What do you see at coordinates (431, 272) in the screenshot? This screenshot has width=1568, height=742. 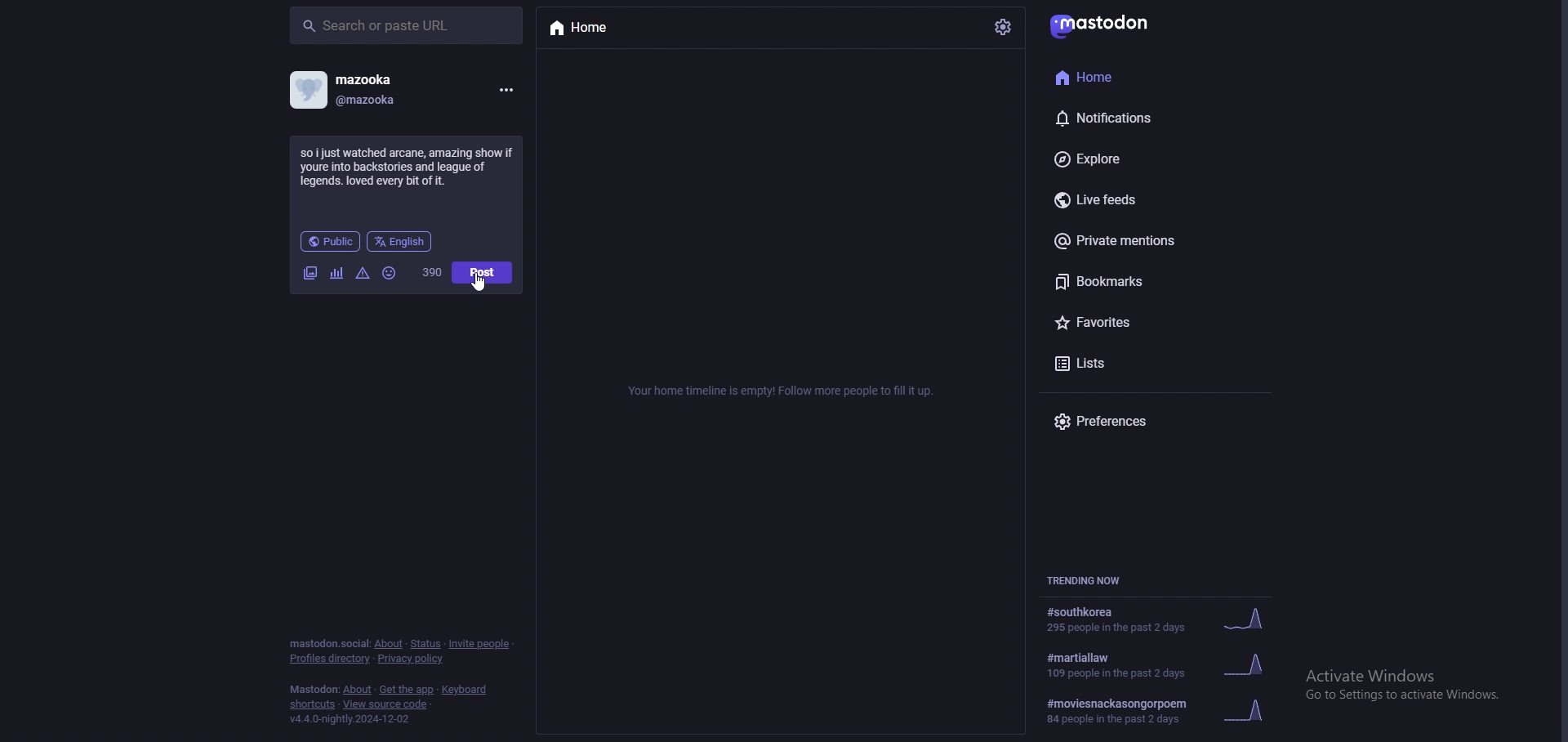 I see `word limit` at bounding box center [431, 272].